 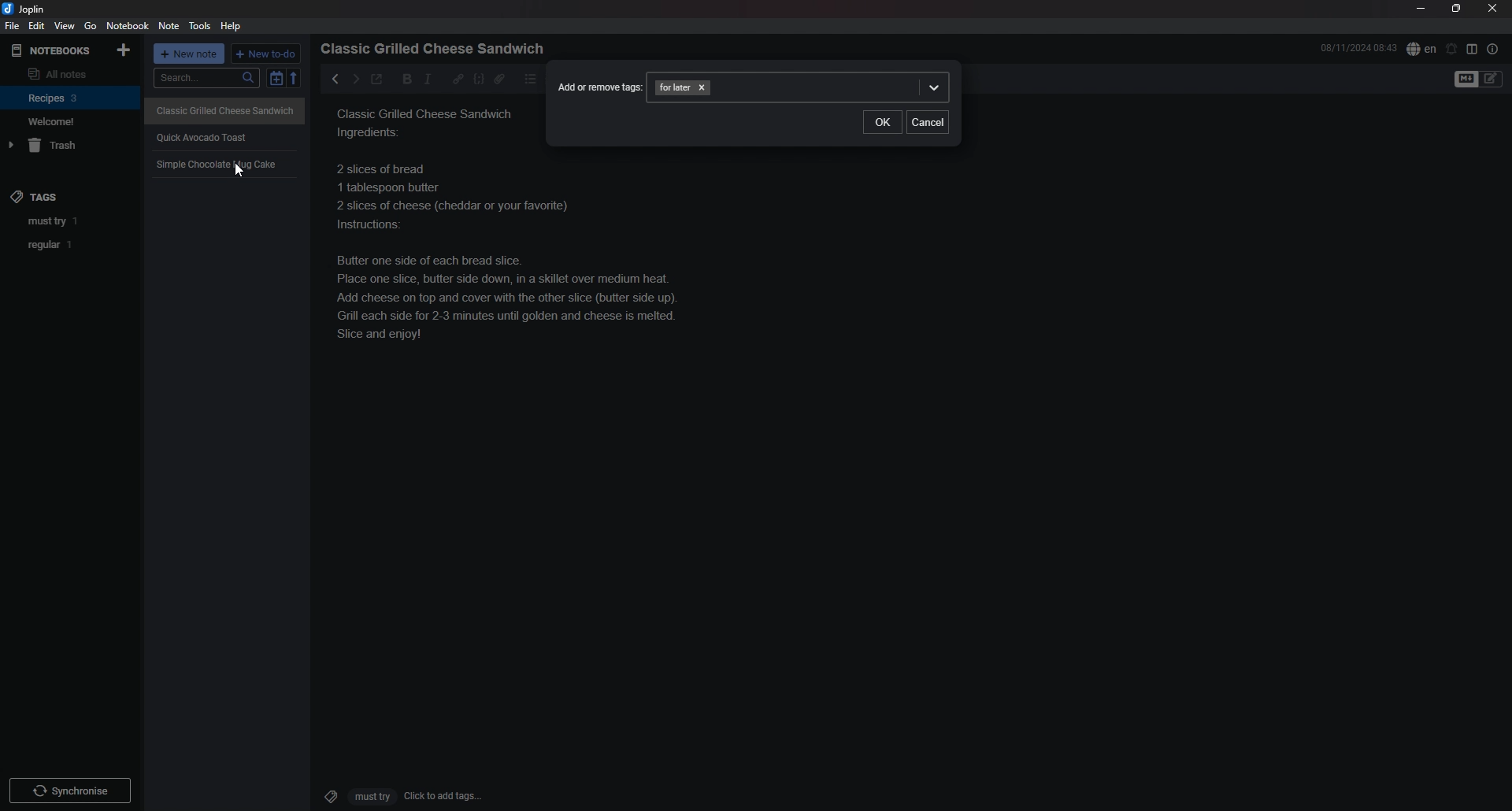 What do you see at coordinates (68, 73) in the screenshot?
I see `all notes` at bounding box center [68, 73].